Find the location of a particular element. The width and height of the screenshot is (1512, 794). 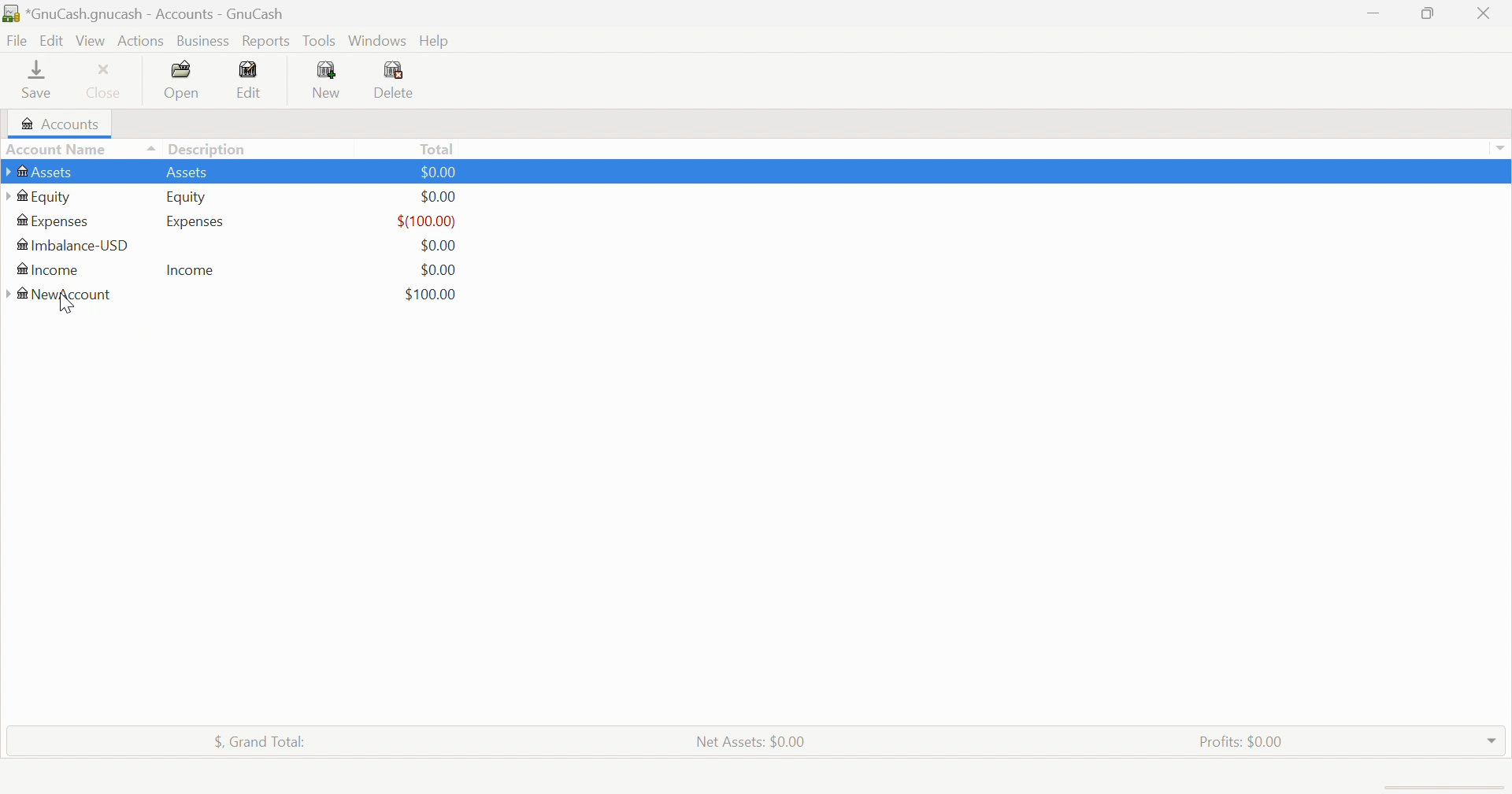

Windows is located at coordinates (376, 40).